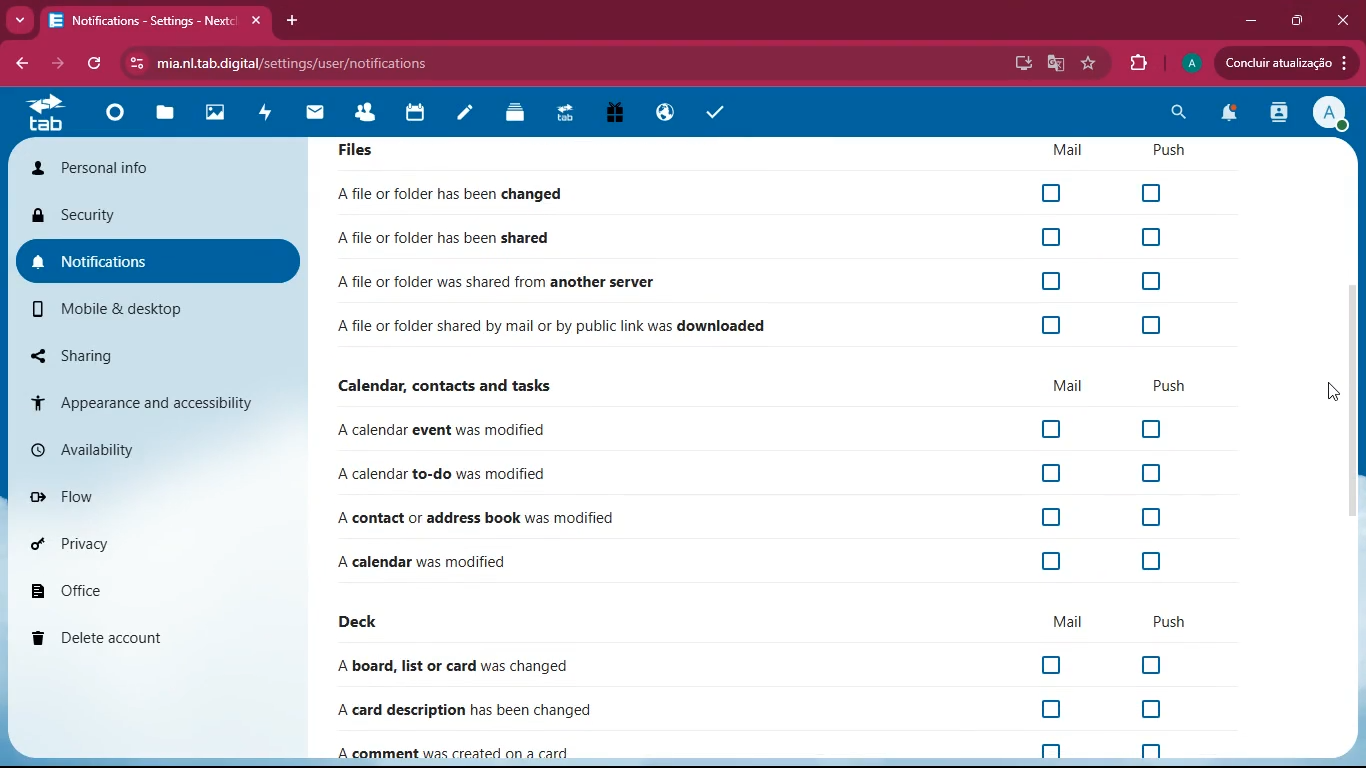 This screenshot has width=1366, height=768. I want to click on notifications, so click(1229, 116).